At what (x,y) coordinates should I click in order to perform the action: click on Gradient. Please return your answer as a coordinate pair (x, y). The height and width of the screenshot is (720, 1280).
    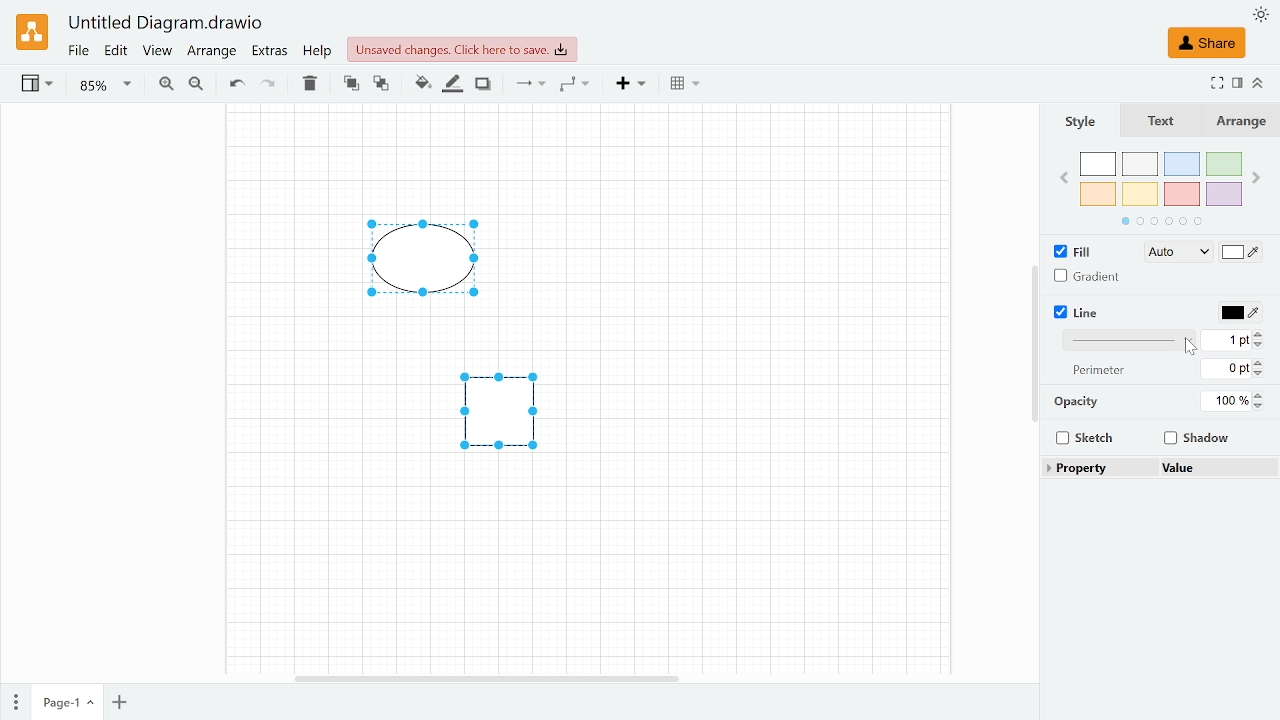
    Looking at the image, I should click on (1093, 277).